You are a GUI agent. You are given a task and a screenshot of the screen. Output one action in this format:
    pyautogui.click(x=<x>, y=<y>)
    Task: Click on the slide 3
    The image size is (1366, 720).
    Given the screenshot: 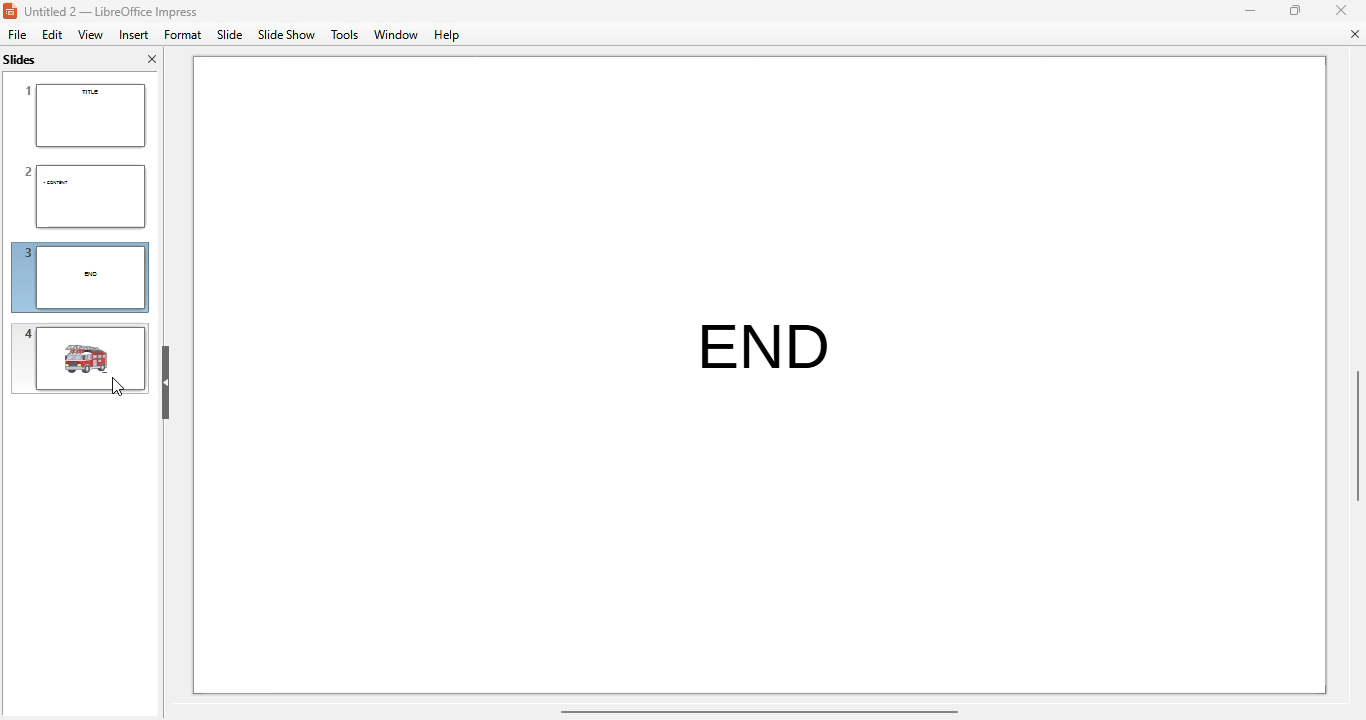 What is the action you would take?
    pyautogui.click(x=81, y=278)
    